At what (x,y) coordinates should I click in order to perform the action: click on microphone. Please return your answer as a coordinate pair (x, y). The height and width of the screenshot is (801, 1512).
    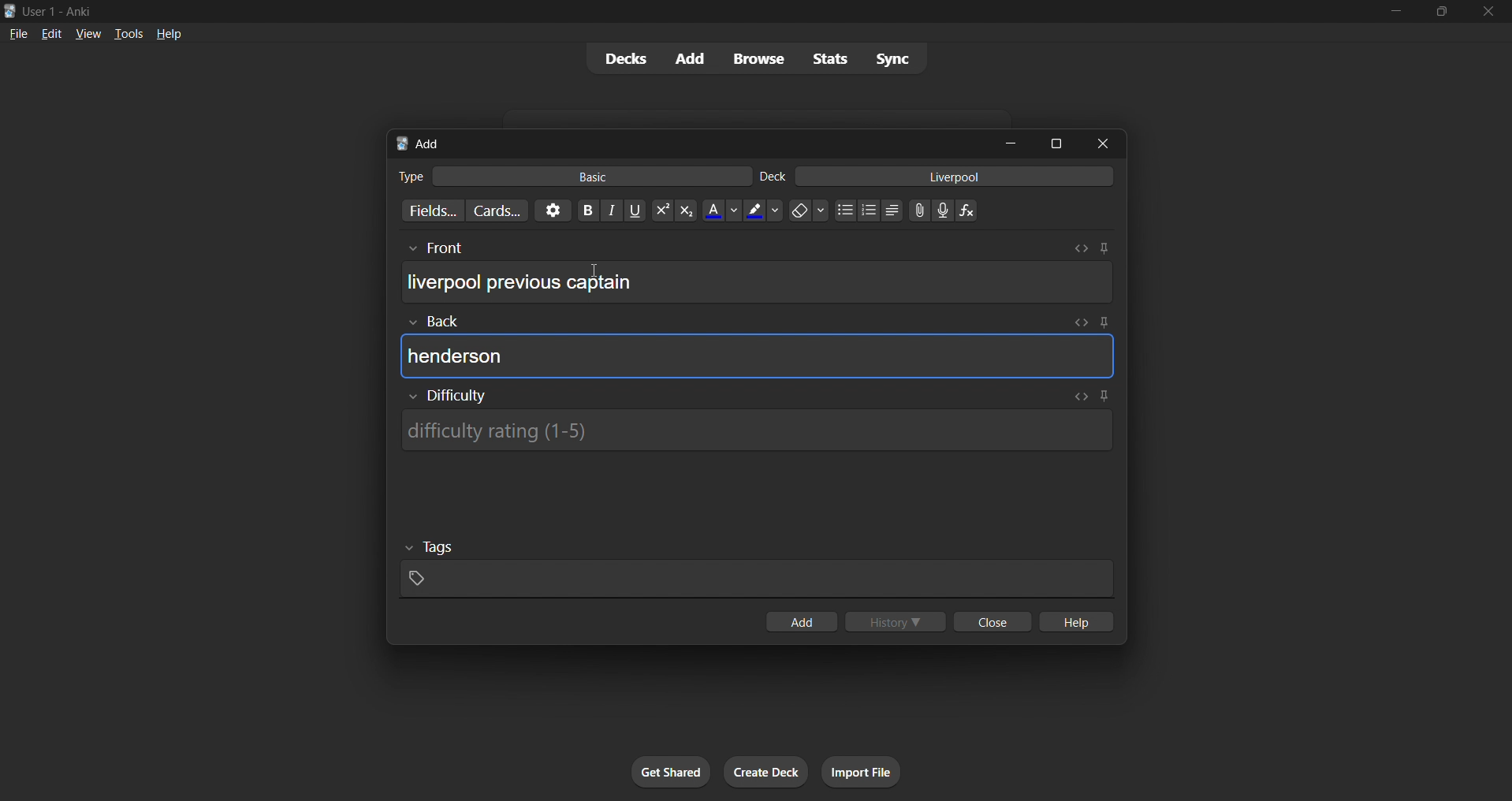
    Looking at the image, I should click on (944, 211).